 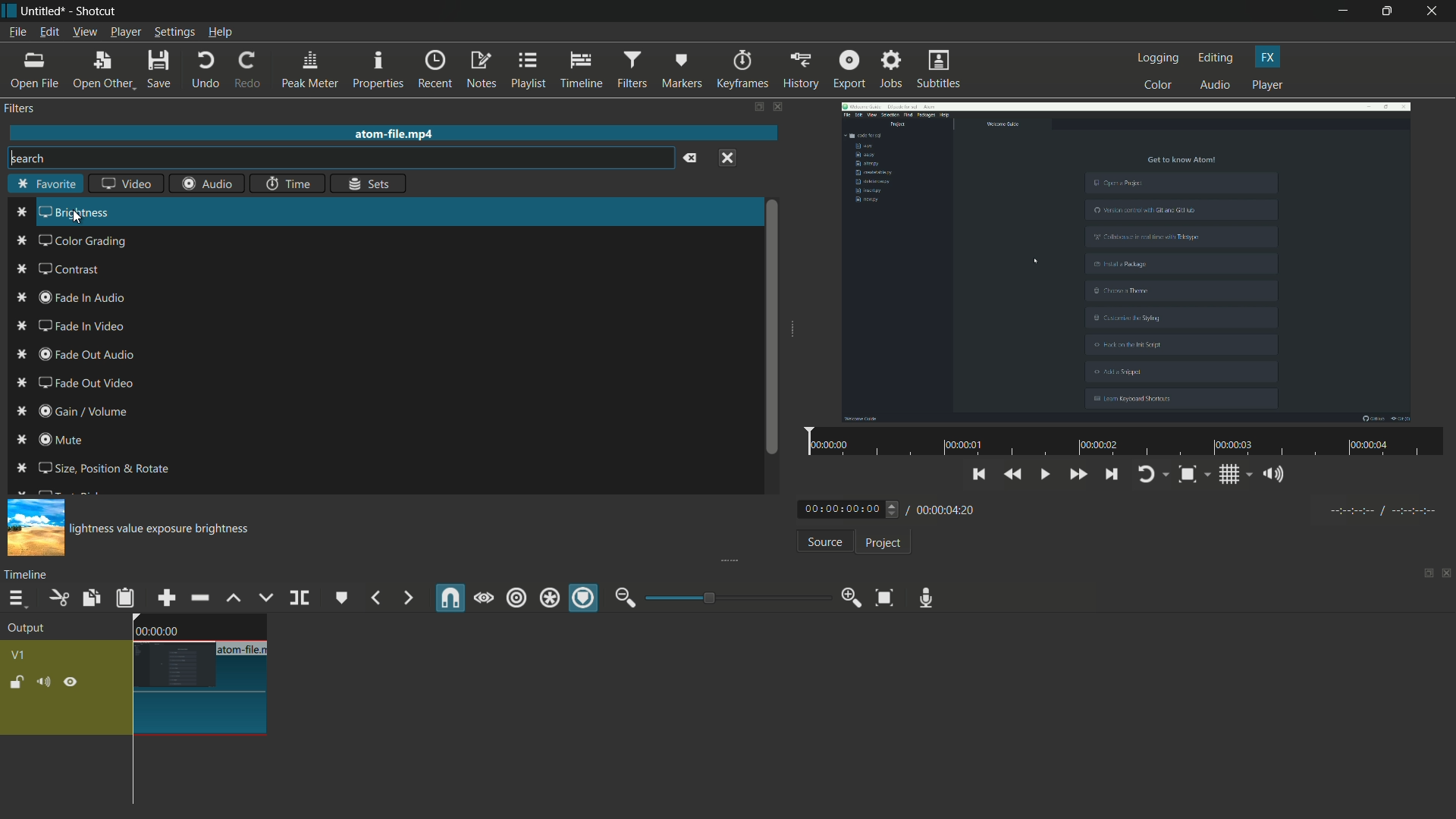 I want to click on copy, so click(x=89, y=598).